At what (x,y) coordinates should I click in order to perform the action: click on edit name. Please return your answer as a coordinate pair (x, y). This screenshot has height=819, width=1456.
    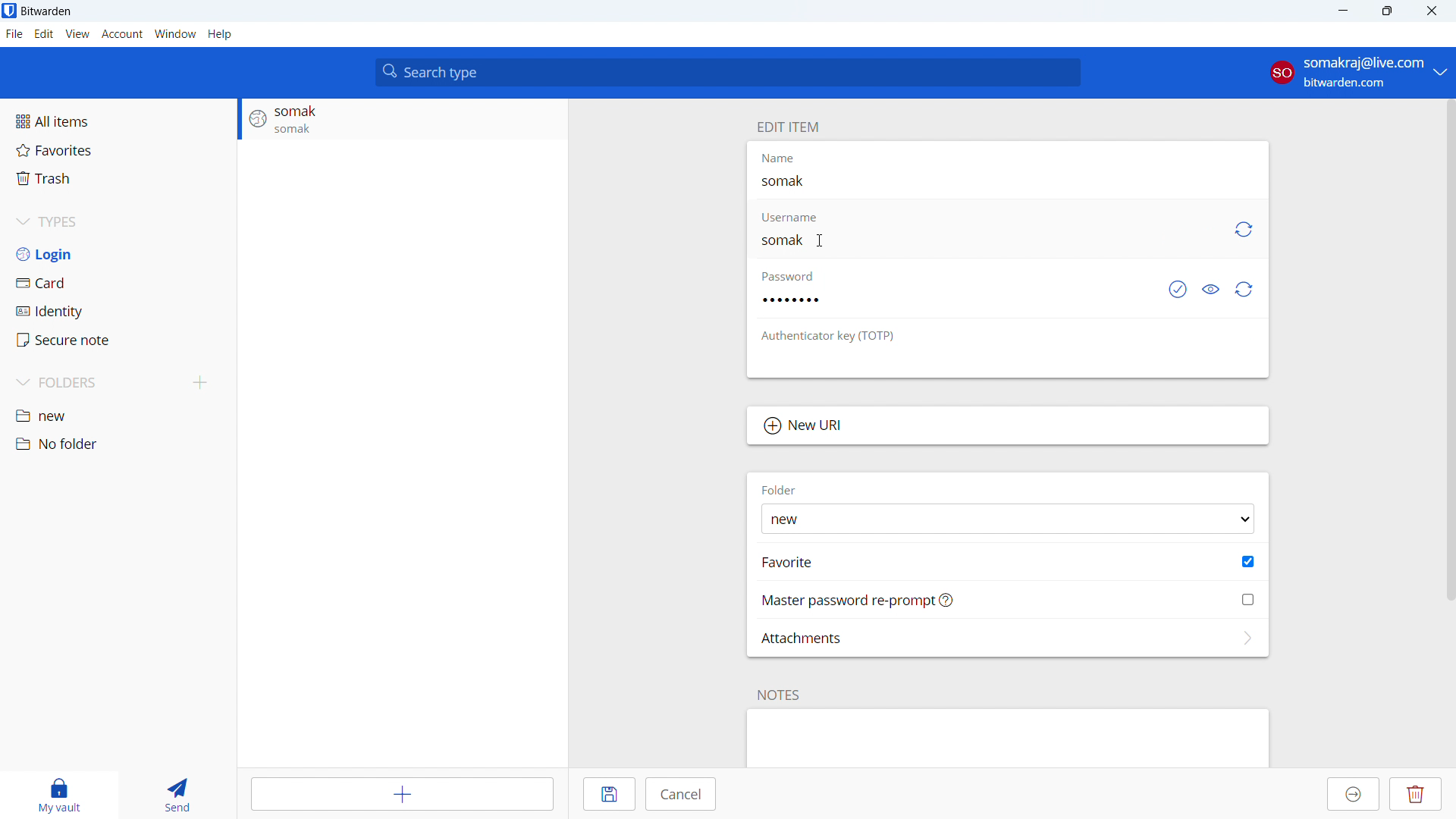
    Looking at the image, I should click on (1006, 181).